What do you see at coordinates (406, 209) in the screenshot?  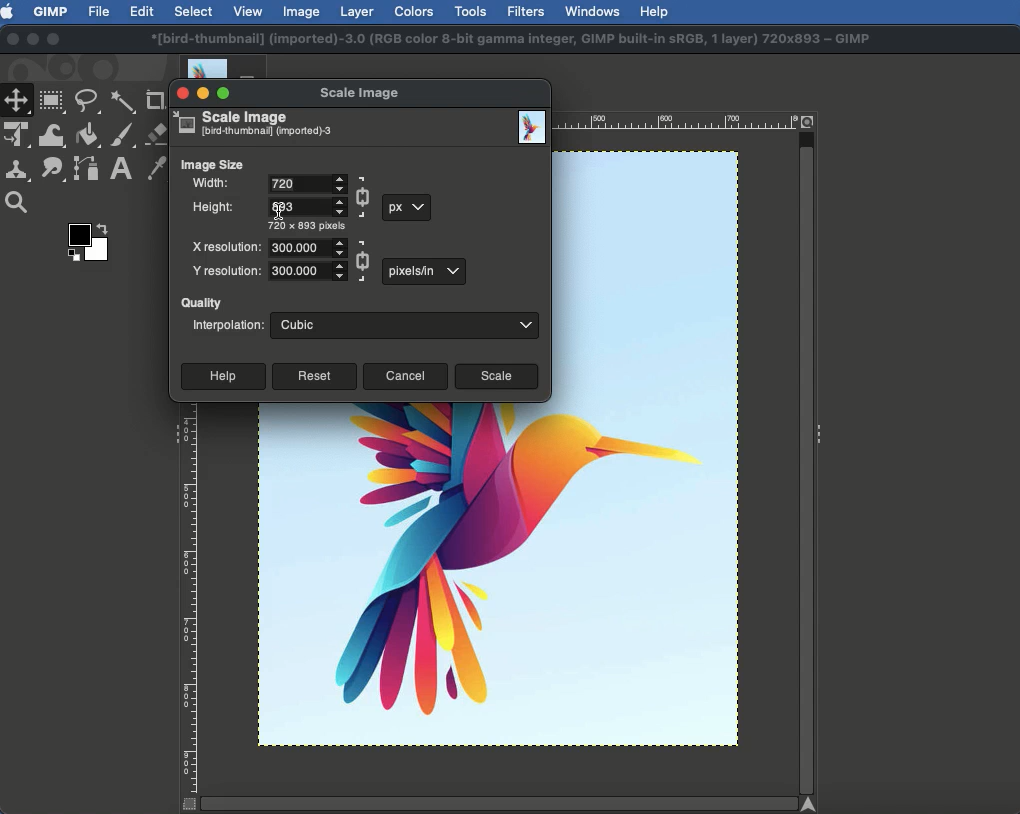 I see `px` at bounding box center [406, 209].